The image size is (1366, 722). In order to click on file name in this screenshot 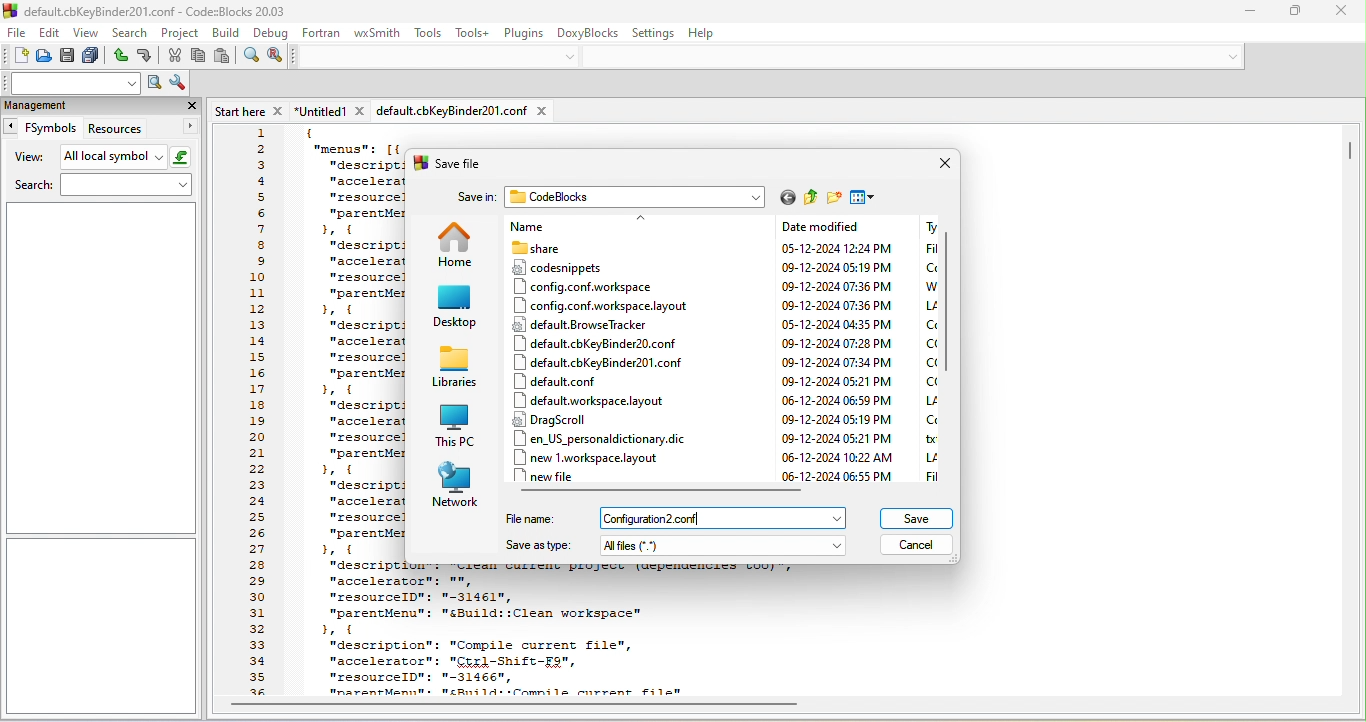, I will do `click(729, 518)`.